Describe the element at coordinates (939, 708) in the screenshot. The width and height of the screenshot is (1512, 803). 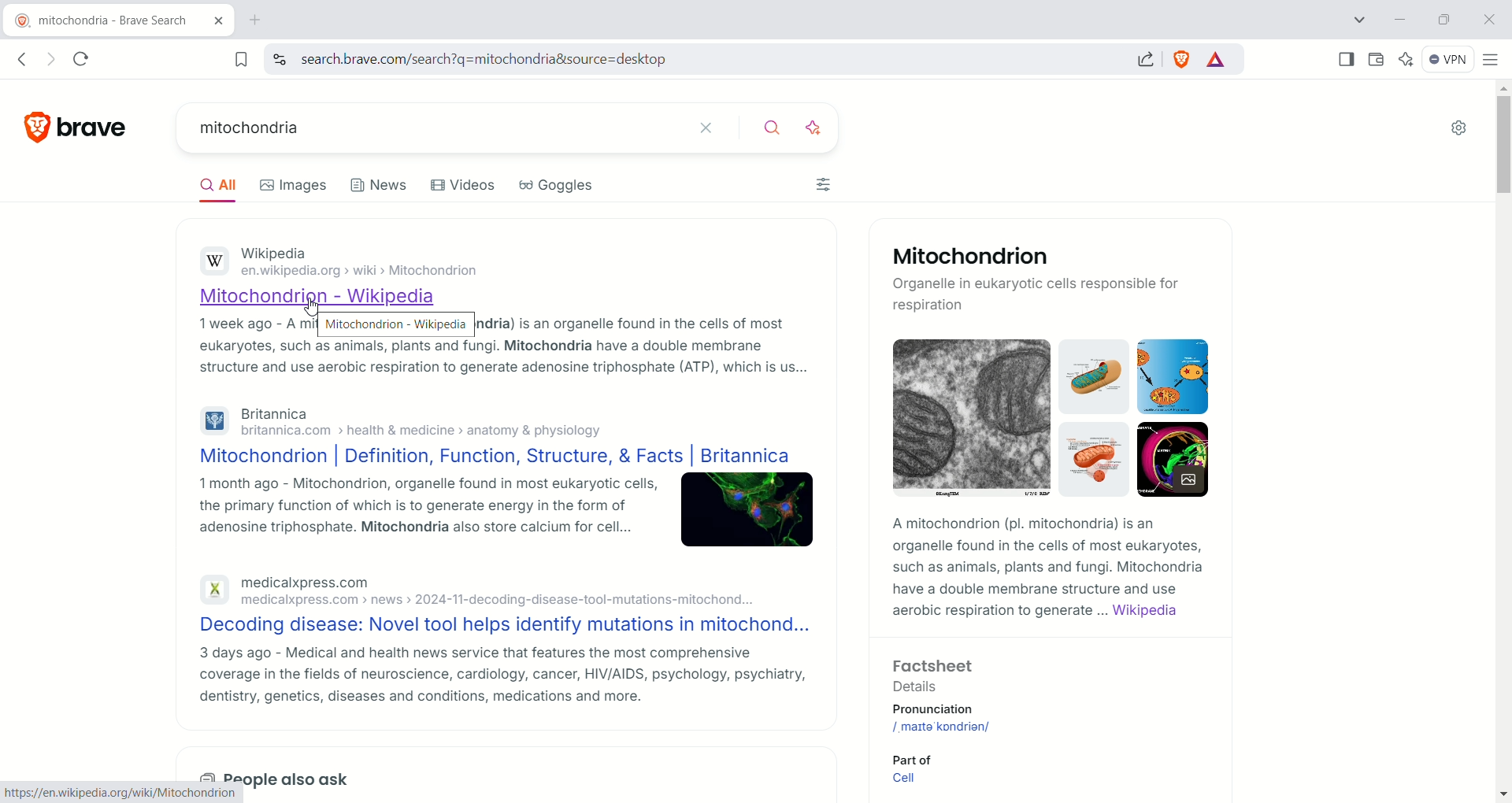
I see `Pronunciation` at that location.